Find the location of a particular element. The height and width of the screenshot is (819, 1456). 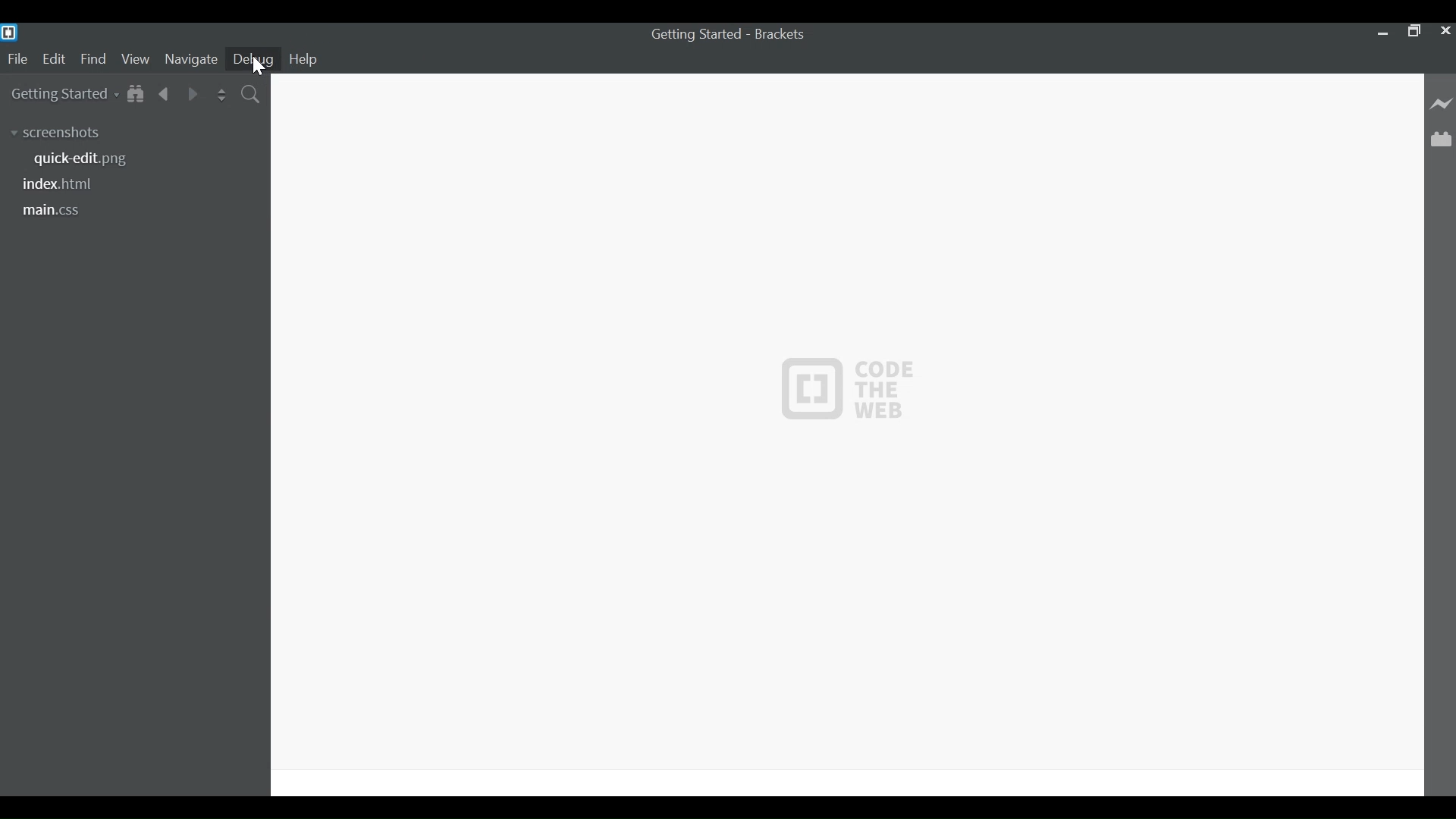

File is located at coordinates (17, 58).